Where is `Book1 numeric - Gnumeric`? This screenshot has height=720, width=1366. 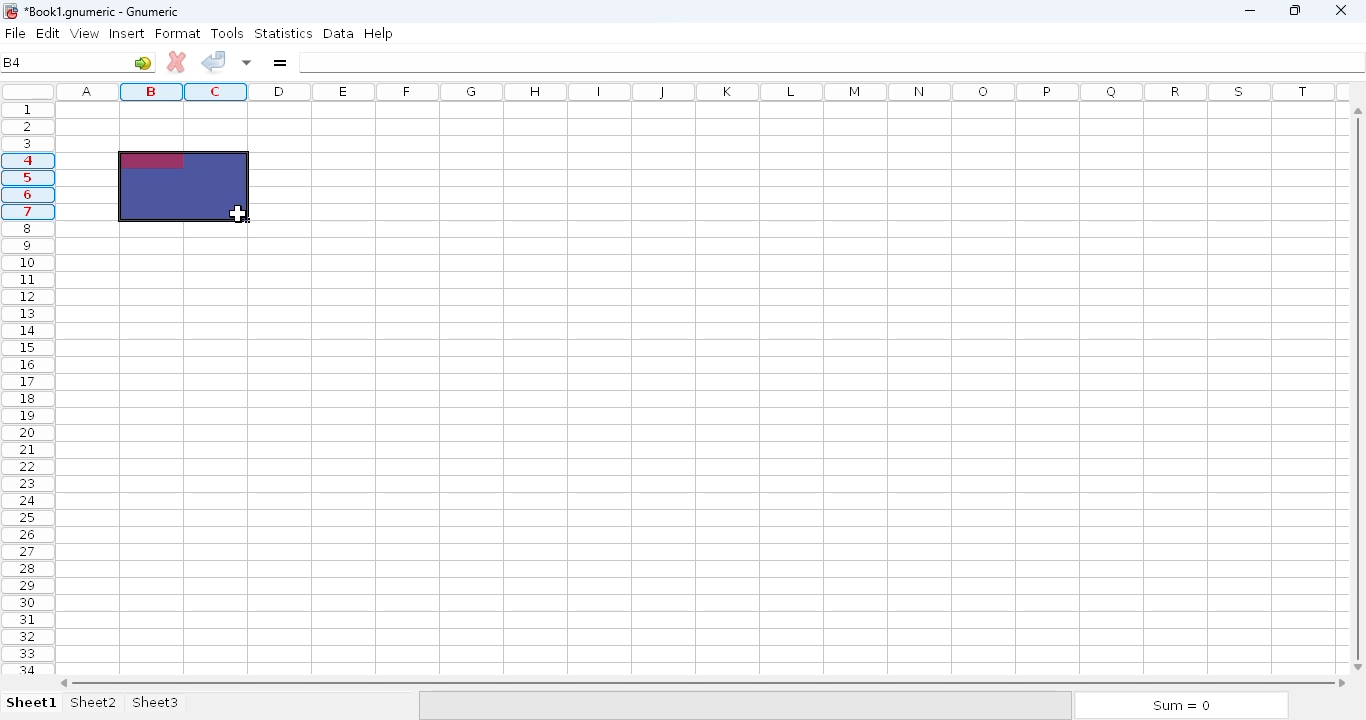 Book1 numeric - Gnumeric is located at coordinates (102, 12).